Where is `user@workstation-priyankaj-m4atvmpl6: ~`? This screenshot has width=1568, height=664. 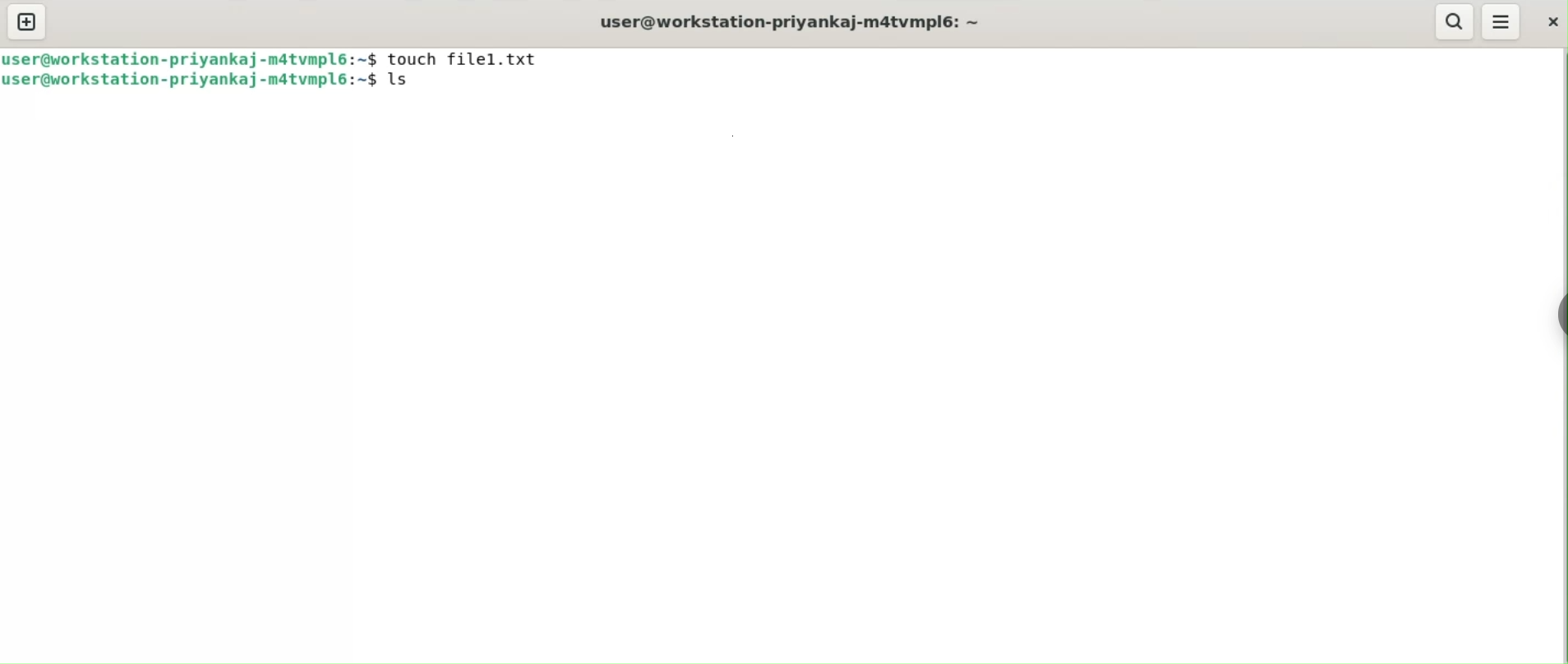 user@workstation-priyankaj-m4atvmpl6: ~ is located at coordinates (796, 23).